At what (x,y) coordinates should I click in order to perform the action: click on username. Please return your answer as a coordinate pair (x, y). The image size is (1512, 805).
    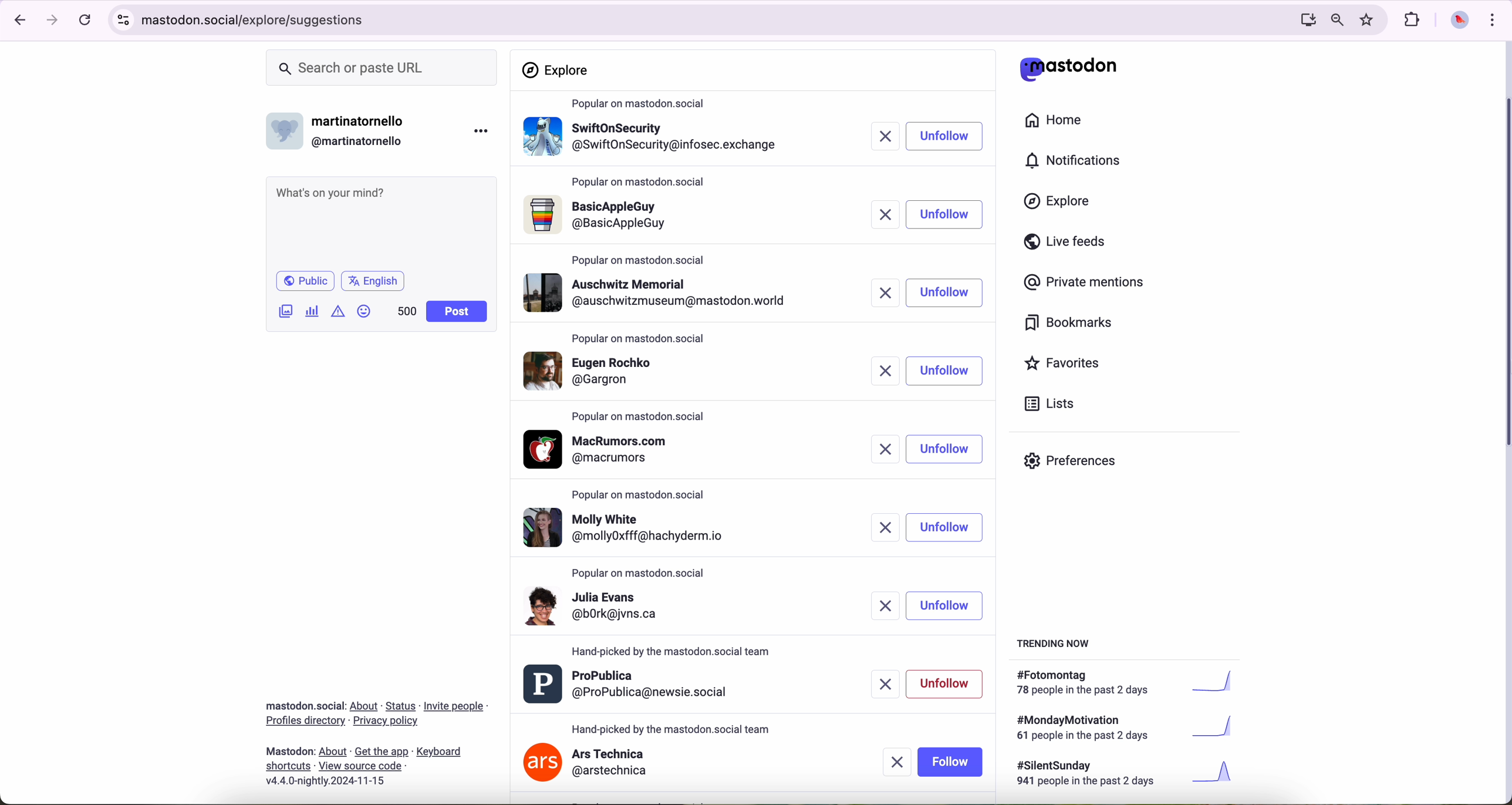
    Looking at the image, I should click on (341, 128).